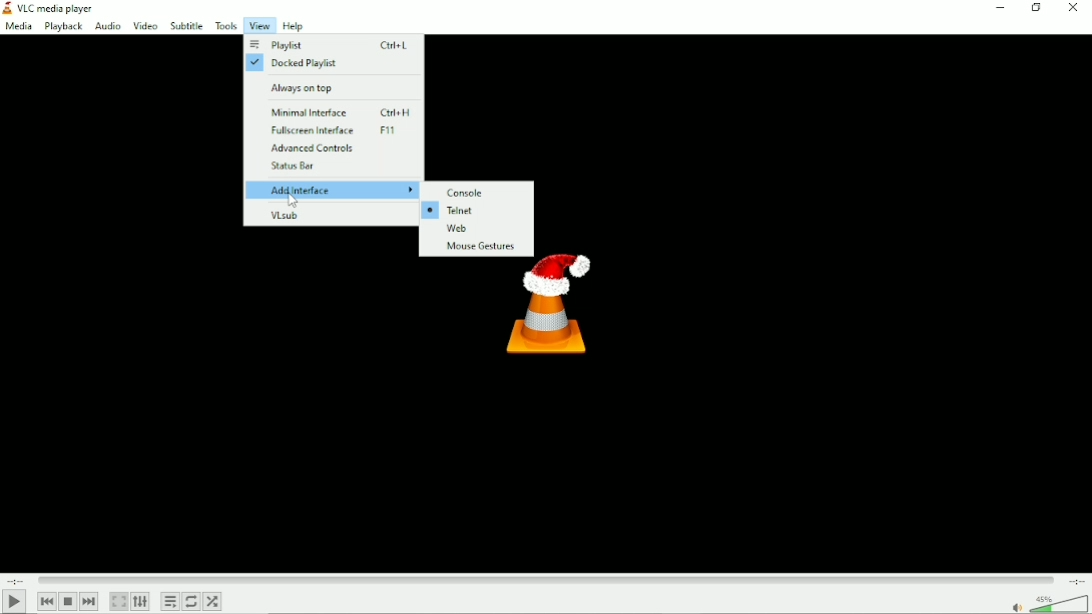 The height and width of the screenshot is (614, 1092). I want to click on Next, so click(88, 602).